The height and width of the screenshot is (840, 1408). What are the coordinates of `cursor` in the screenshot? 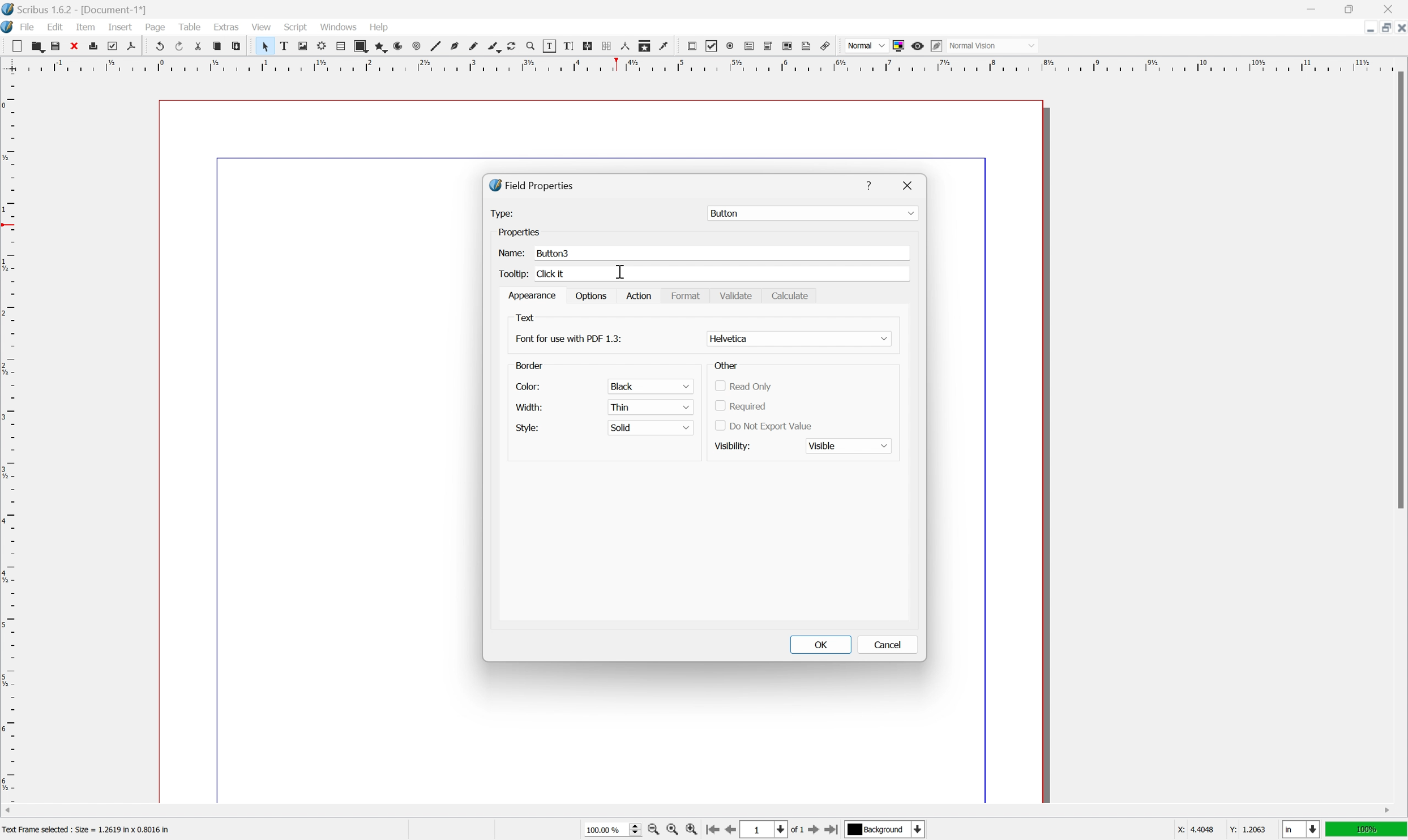 It's located at (622, 269).